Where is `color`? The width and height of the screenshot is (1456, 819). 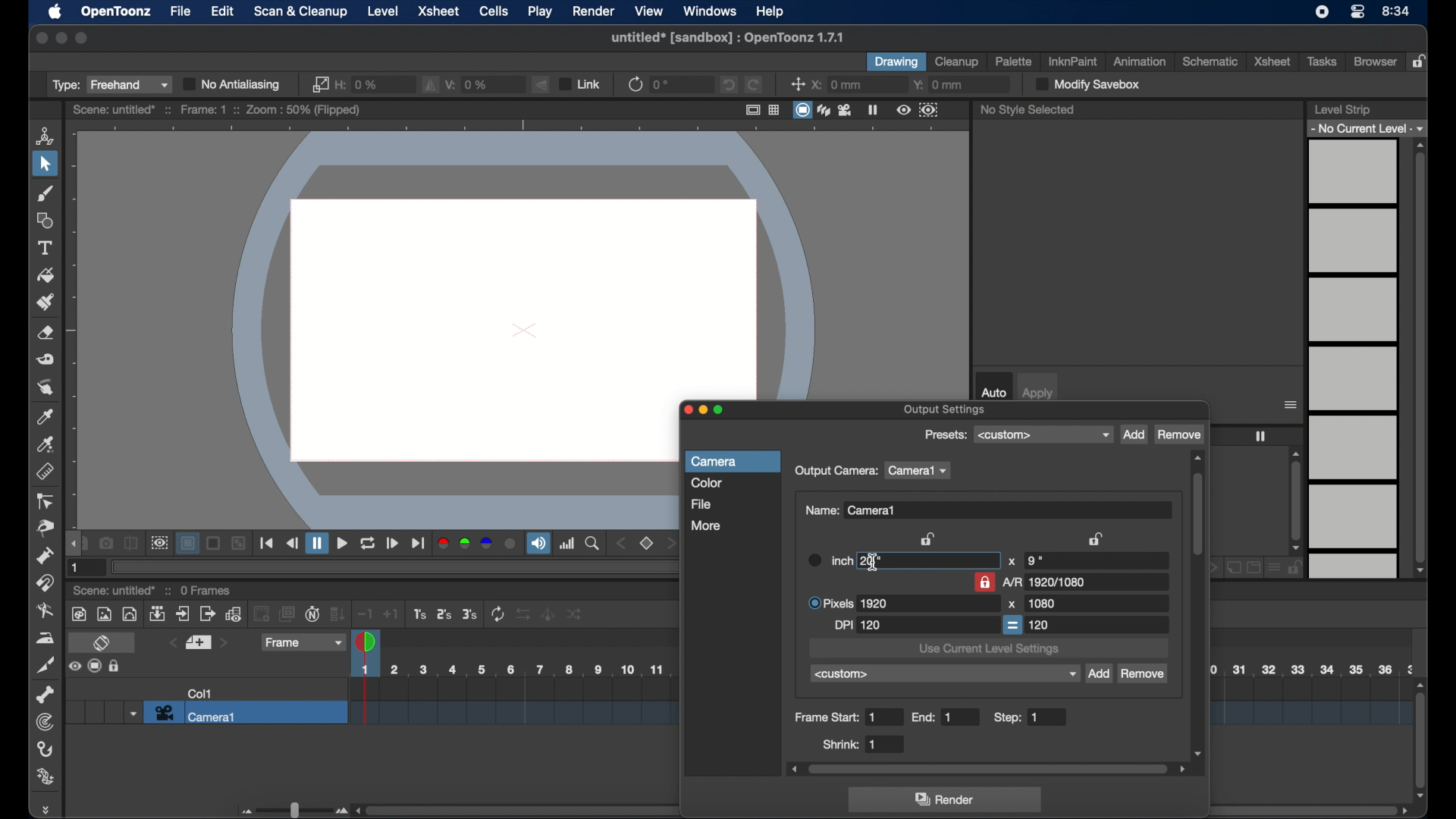 color is located at coordinates (707, 483).